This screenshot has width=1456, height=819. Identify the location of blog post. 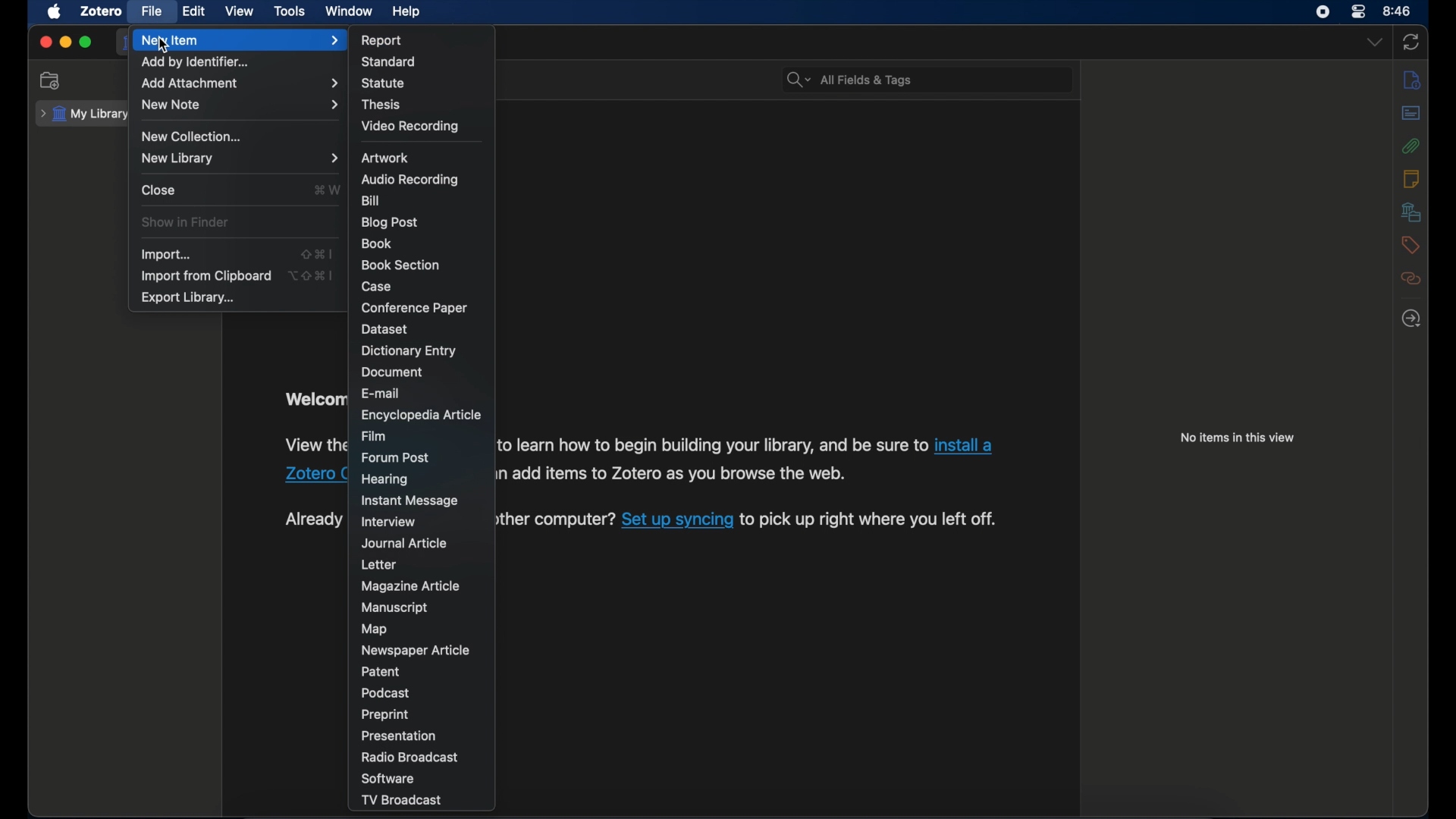
(390, 222).